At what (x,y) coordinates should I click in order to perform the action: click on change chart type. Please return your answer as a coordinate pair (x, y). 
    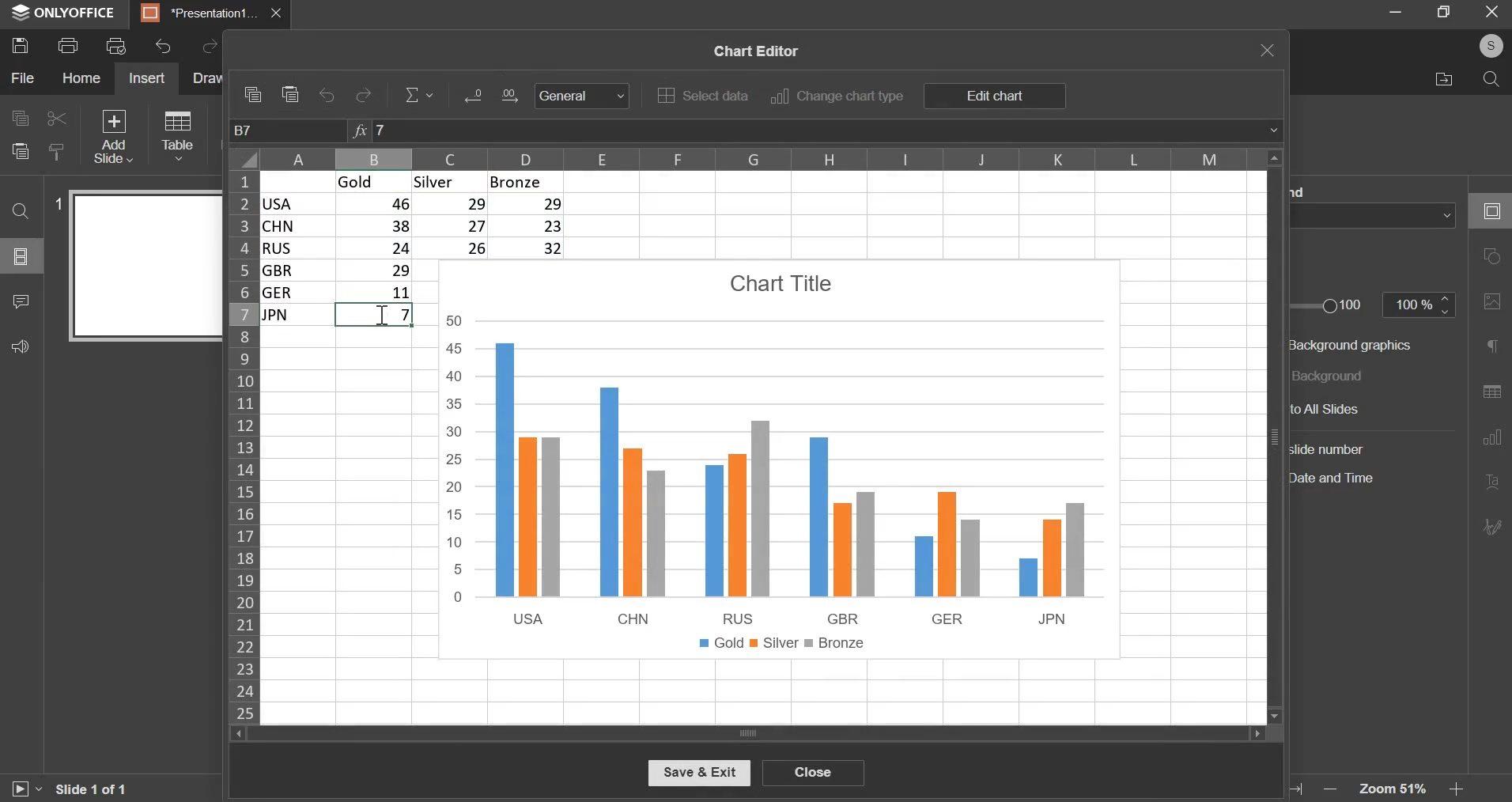
    Looking at the image, I should click on (837, 96).